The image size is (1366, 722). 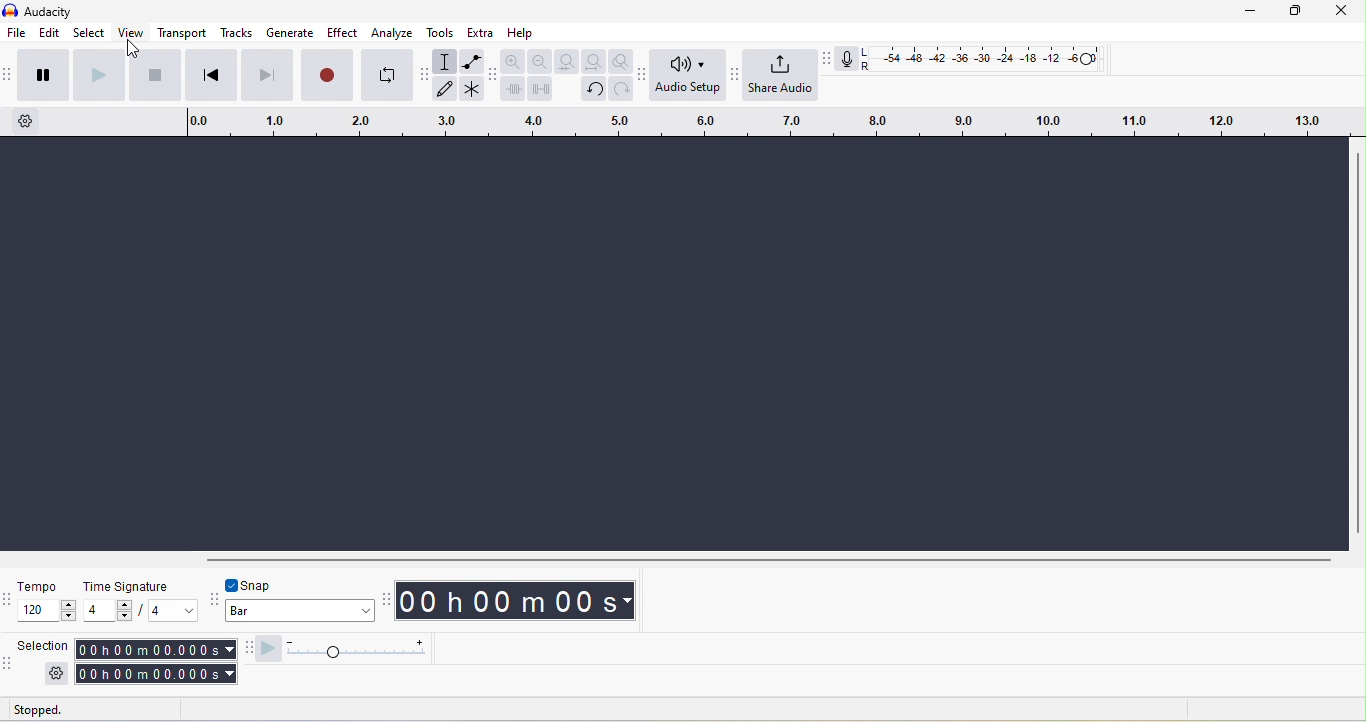 I want to click on enable loop, so click(x=387, y=76).